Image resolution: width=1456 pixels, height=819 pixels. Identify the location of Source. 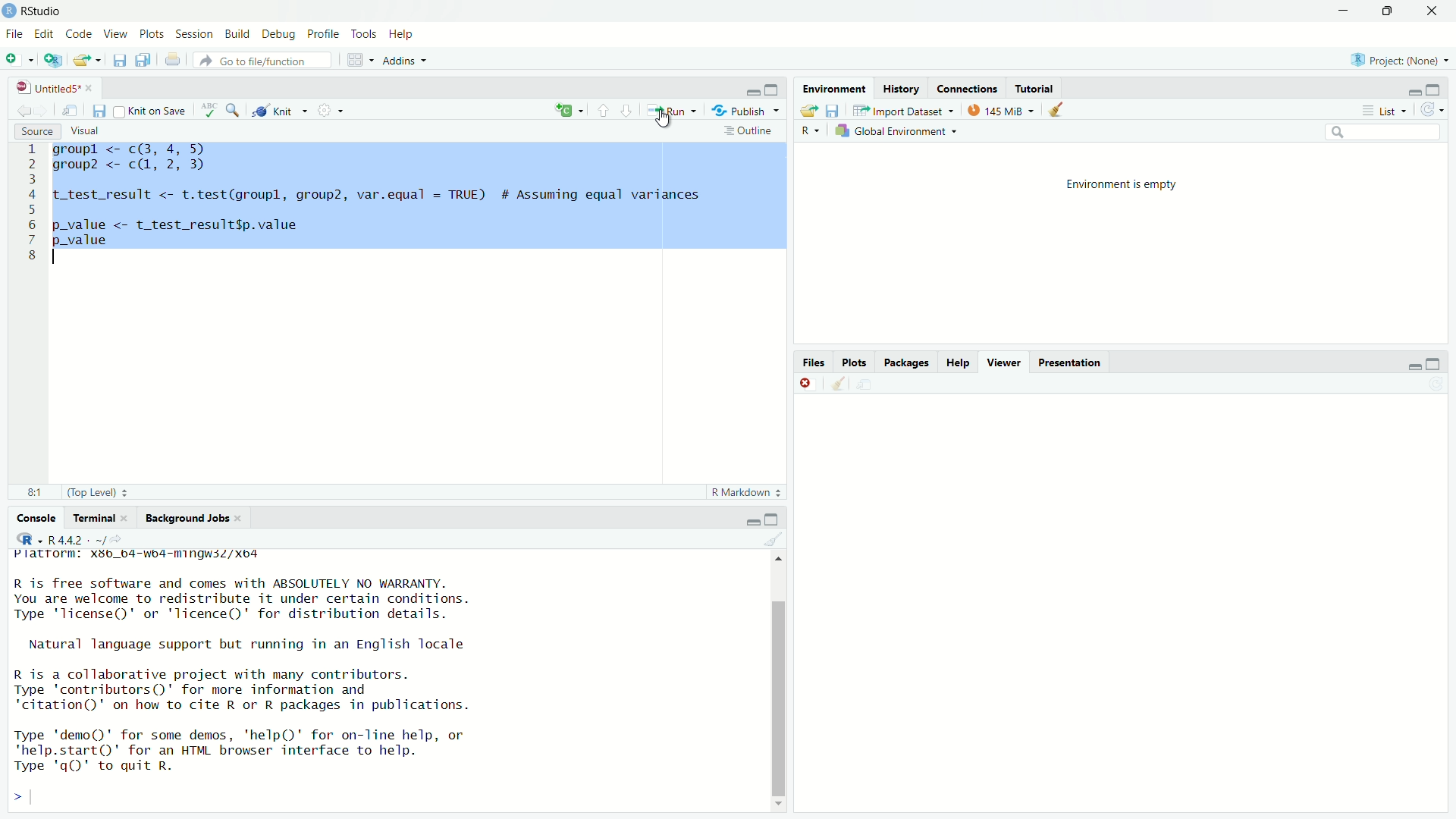
(34, 131).